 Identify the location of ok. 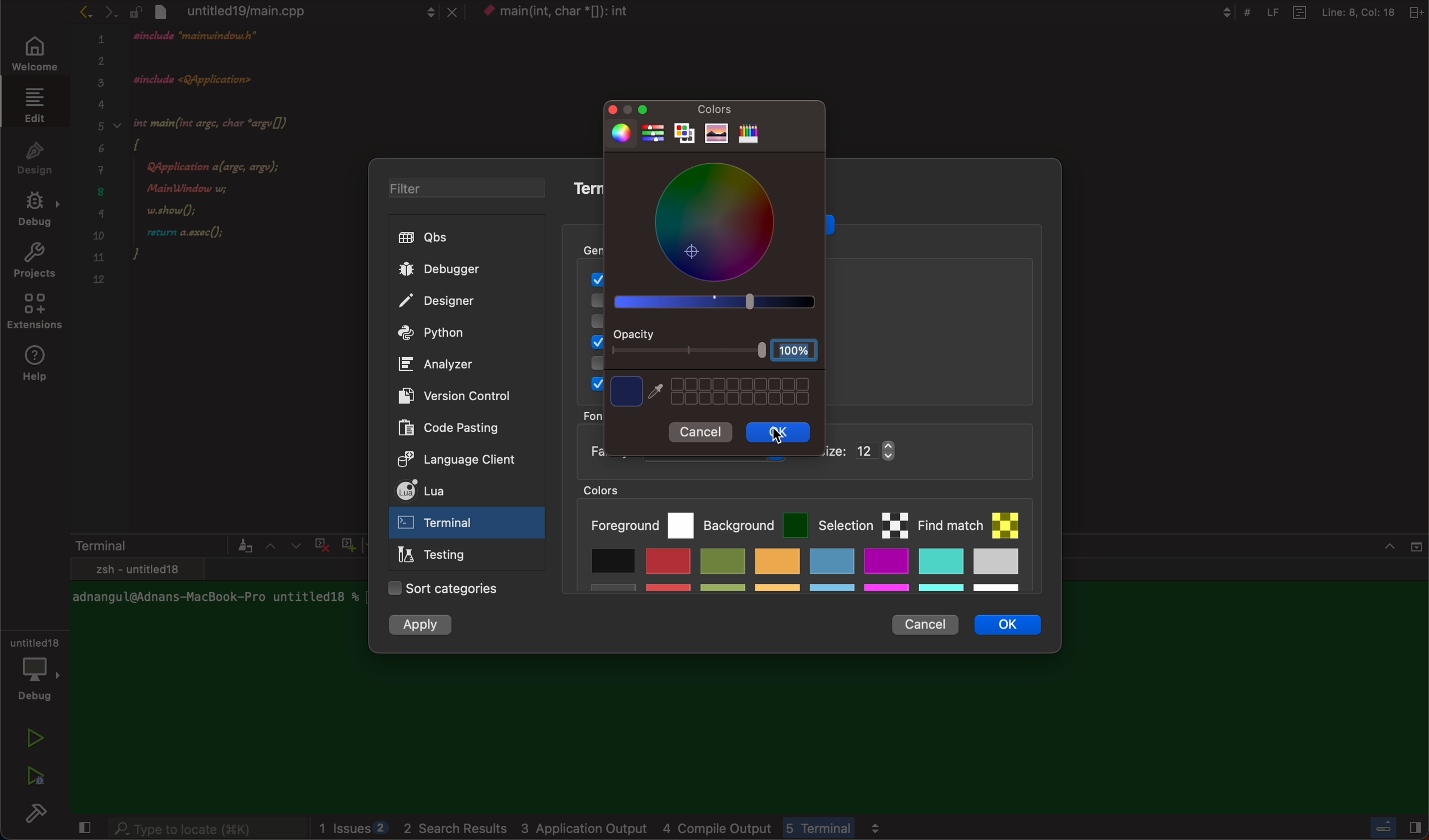
(1016, 628).